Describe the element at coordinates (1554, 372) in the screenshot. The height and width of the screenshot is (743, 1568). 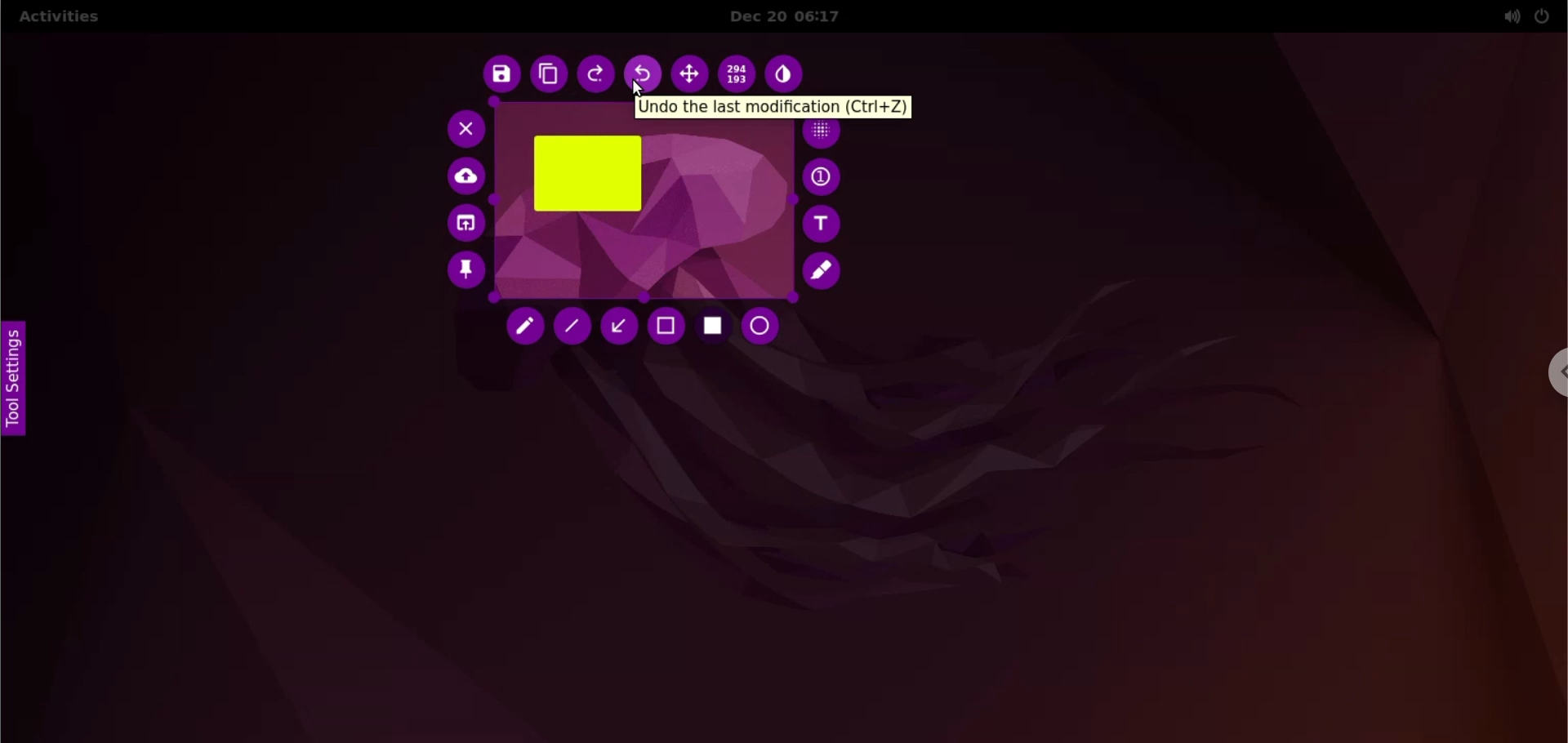
I see `chrome options` at that location.